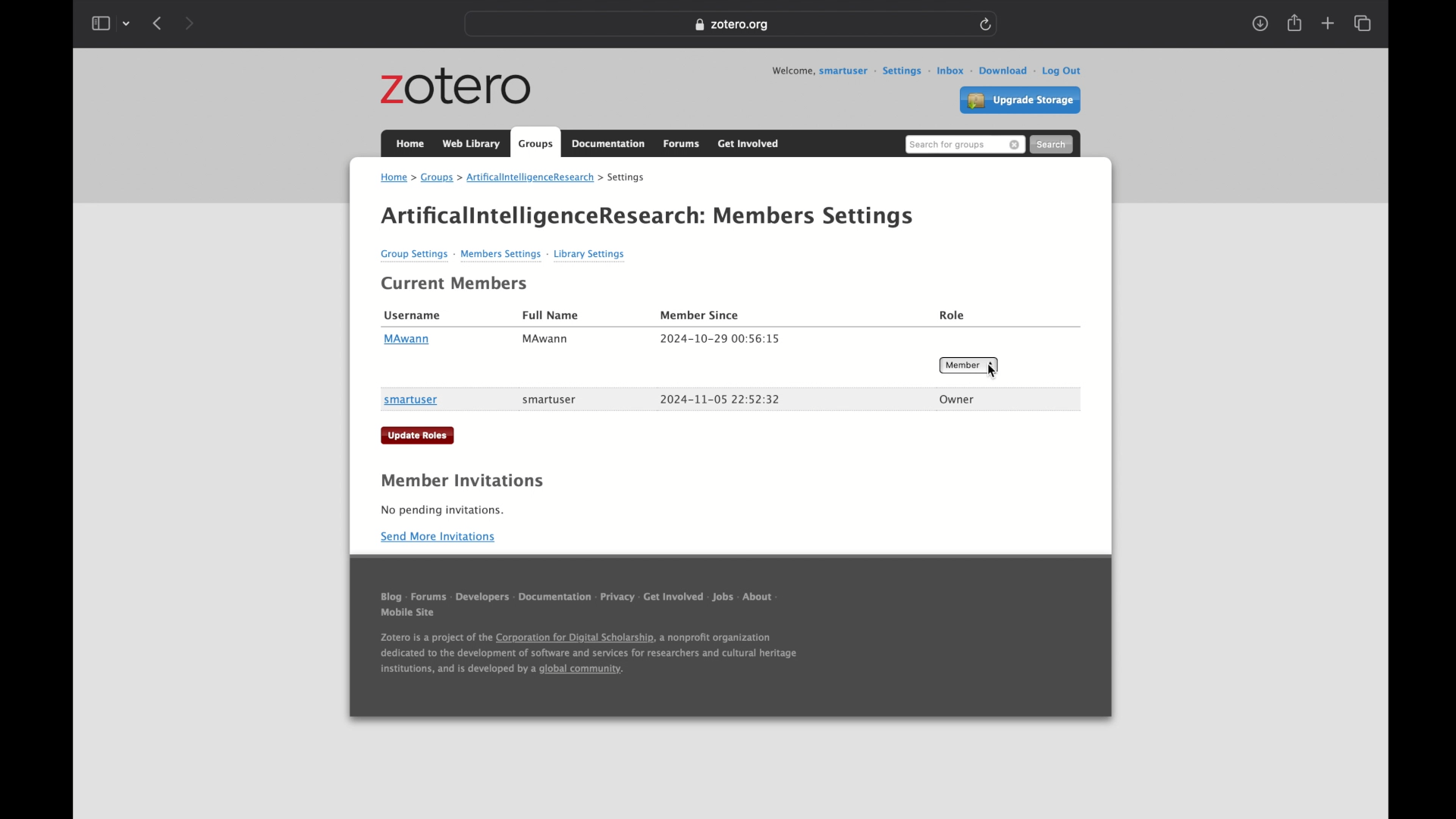 The height and width of the screenshot is (819, 1456). I want to click on cursor, so click(990, 372).